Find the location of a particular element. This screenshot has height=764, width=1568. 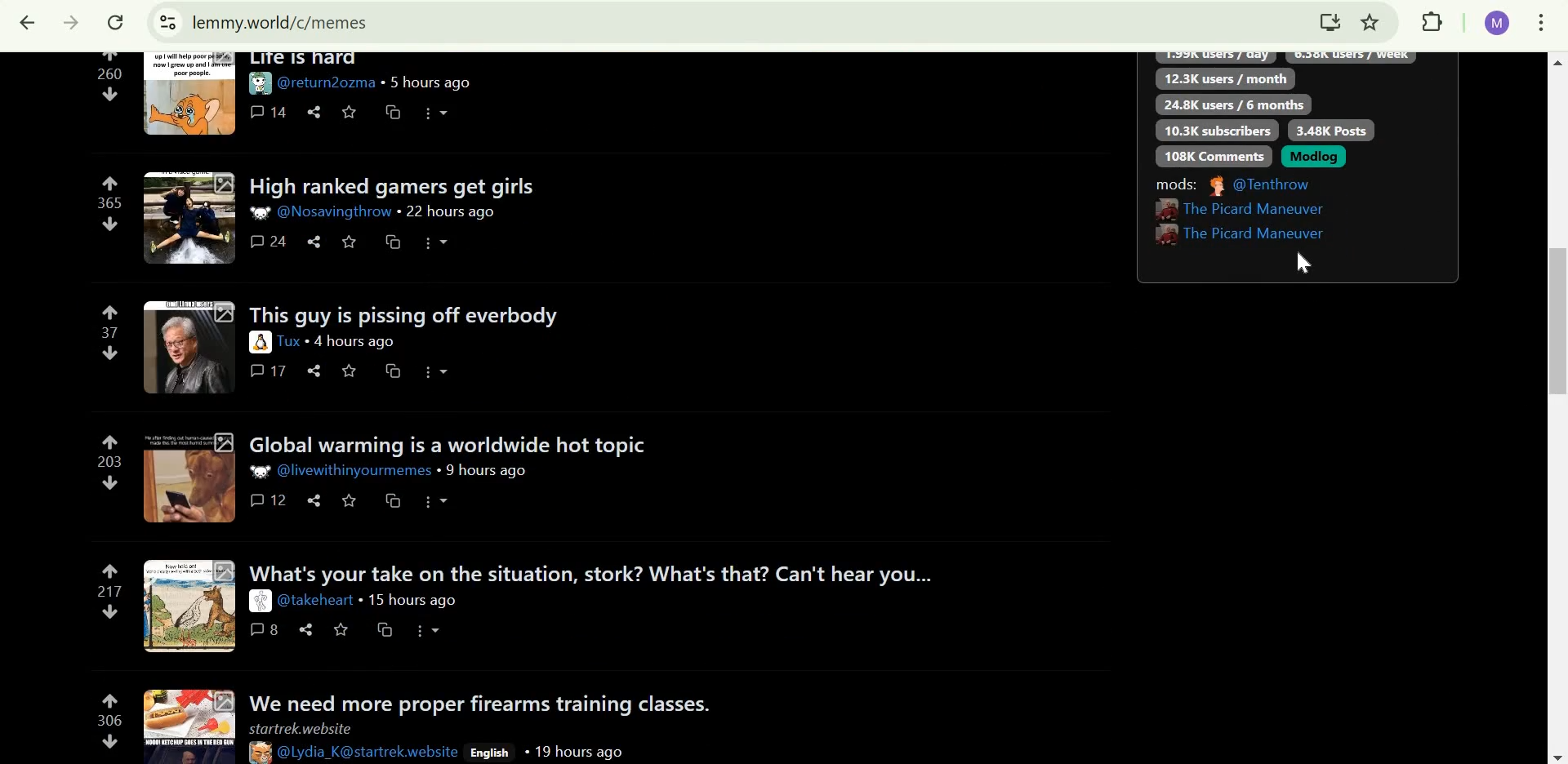

17 comments is located at coordinates (266, 371).